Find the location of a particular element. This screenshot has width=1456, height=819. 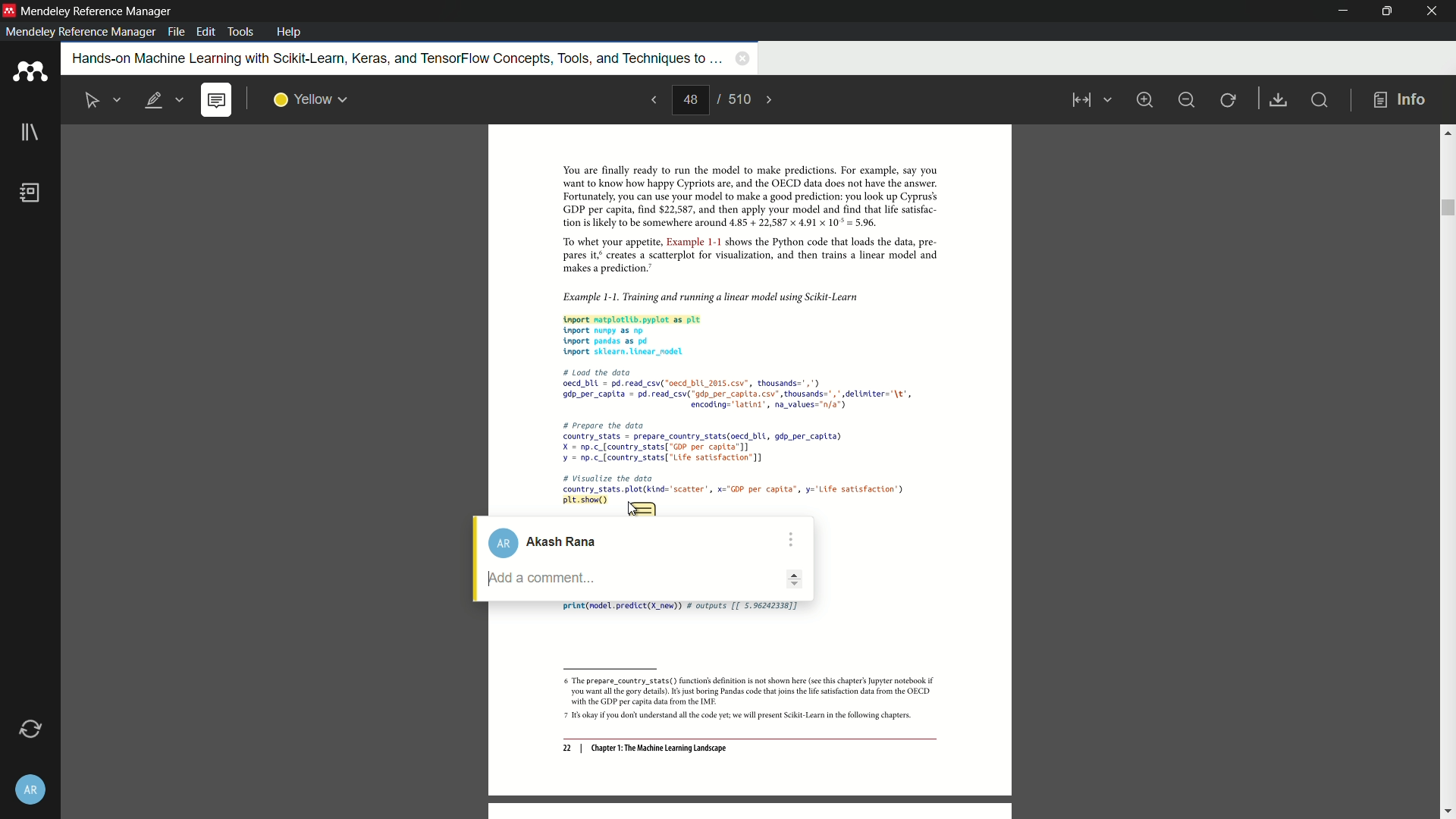

minimize is located at coordinates (1345, 11).